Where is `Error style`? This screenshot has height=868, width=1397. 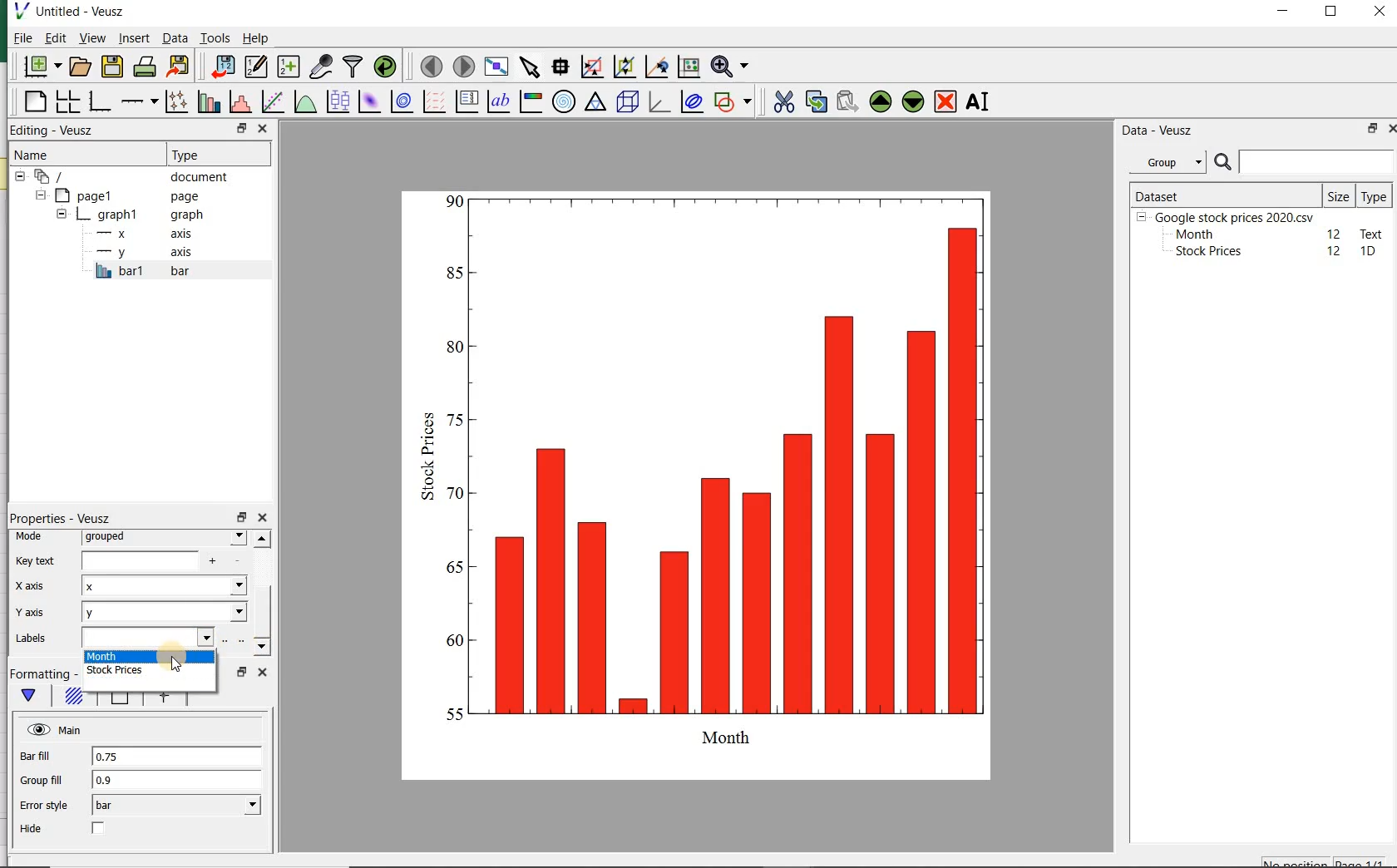
Error style is located at coordinates (43, 805).